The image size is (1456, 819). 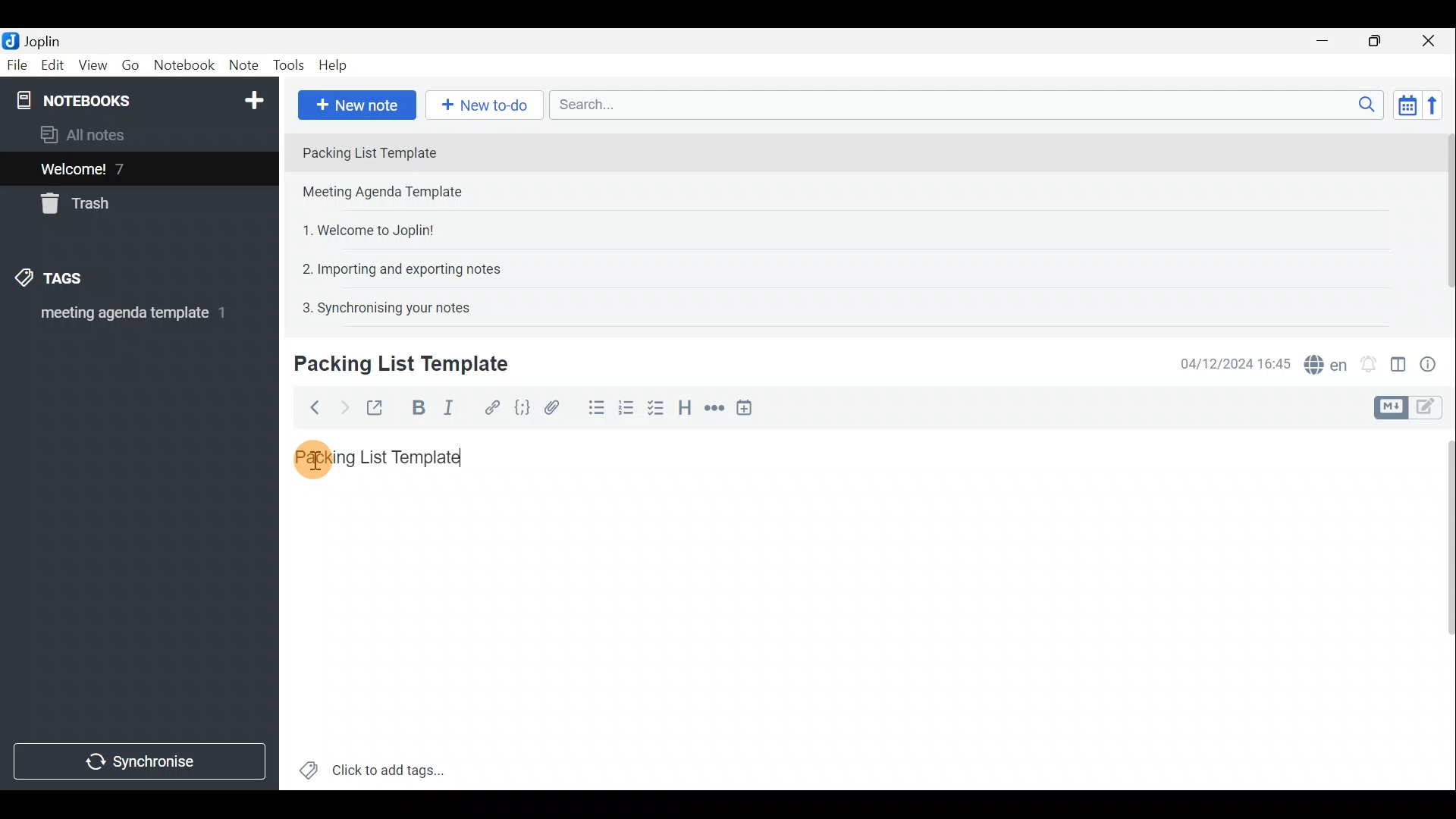 I want to click on Set alarm, so click(x=1368, y=360).